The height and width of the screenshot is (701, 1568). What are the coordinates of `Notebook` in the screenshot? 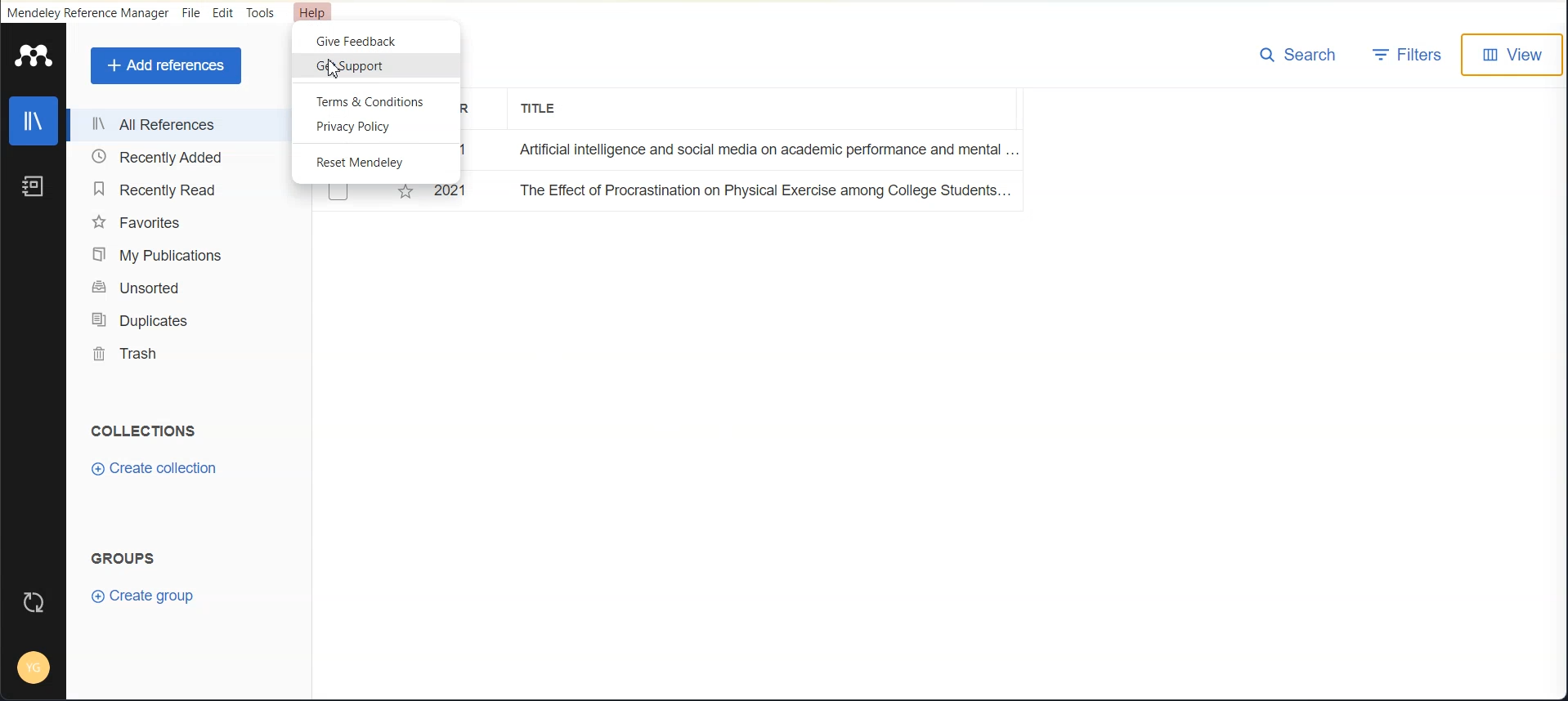 It's located at (34, 185).